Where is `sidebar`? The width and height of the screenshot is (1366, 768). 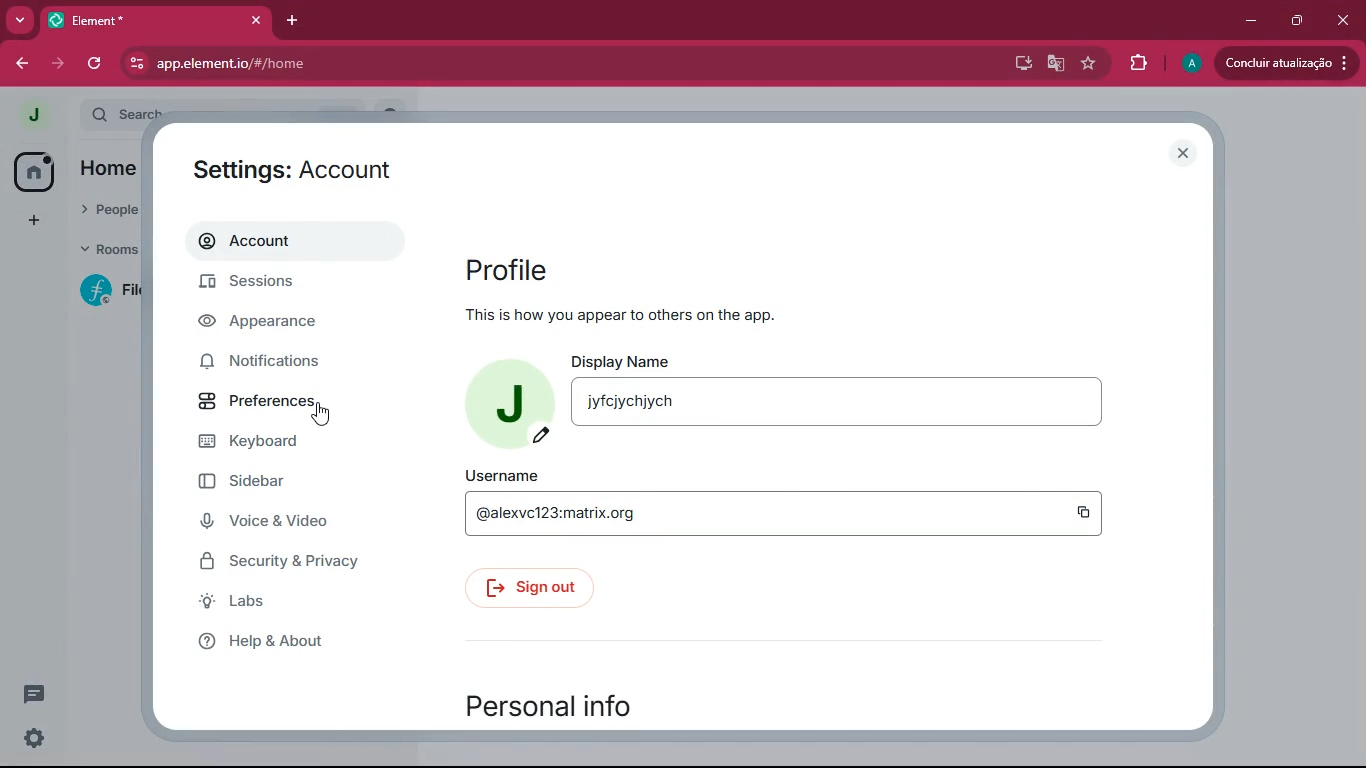 sidebar is located at coordinates (275, 483).